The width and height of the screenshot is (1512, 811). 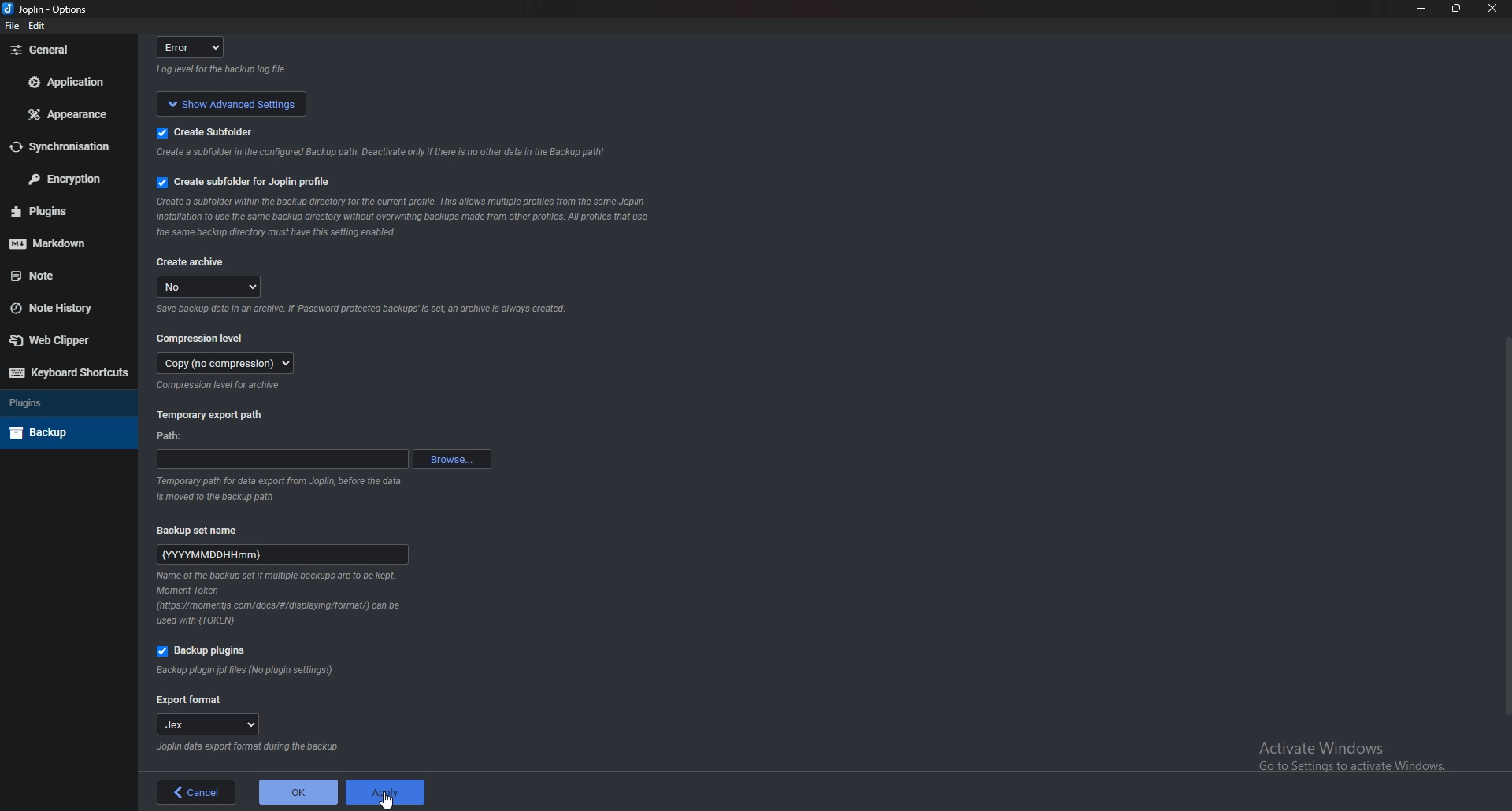 What do you see at coordinates (246, 671) in the screenshot?
I see `Info` at bounding box center [246, 671].